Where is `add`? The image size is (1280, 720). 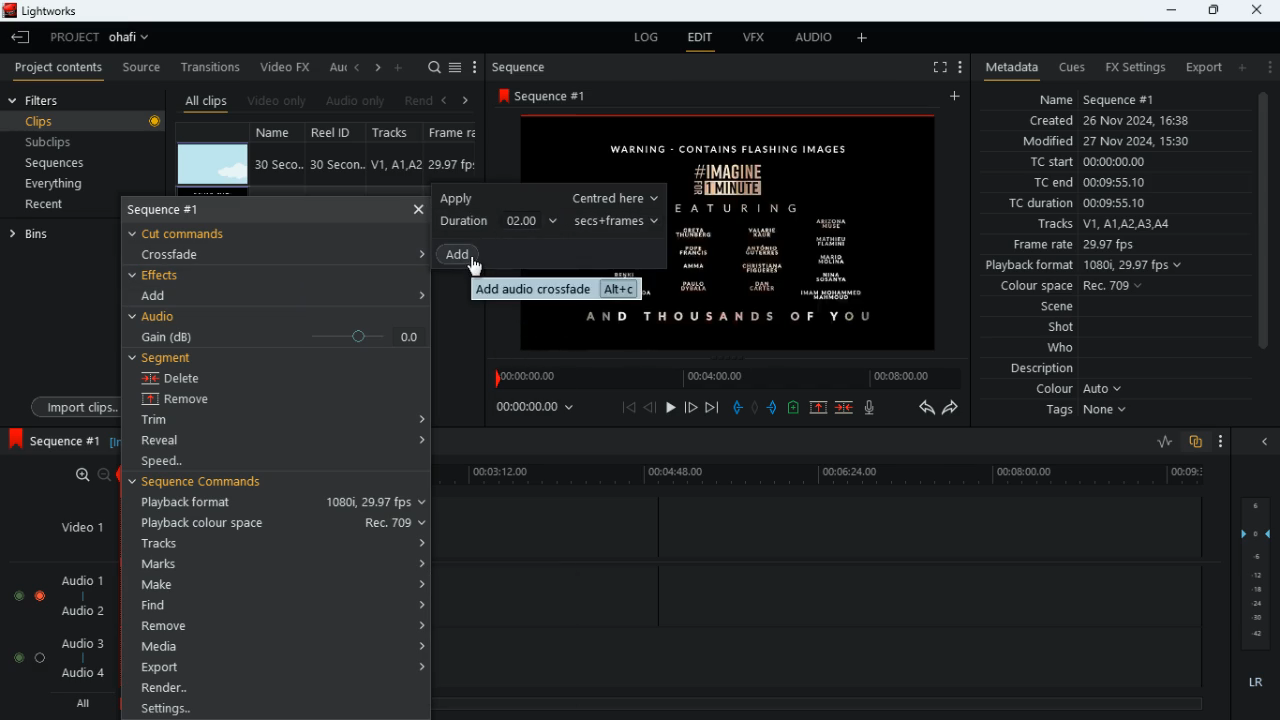
add is located at coordinates (400, 66).